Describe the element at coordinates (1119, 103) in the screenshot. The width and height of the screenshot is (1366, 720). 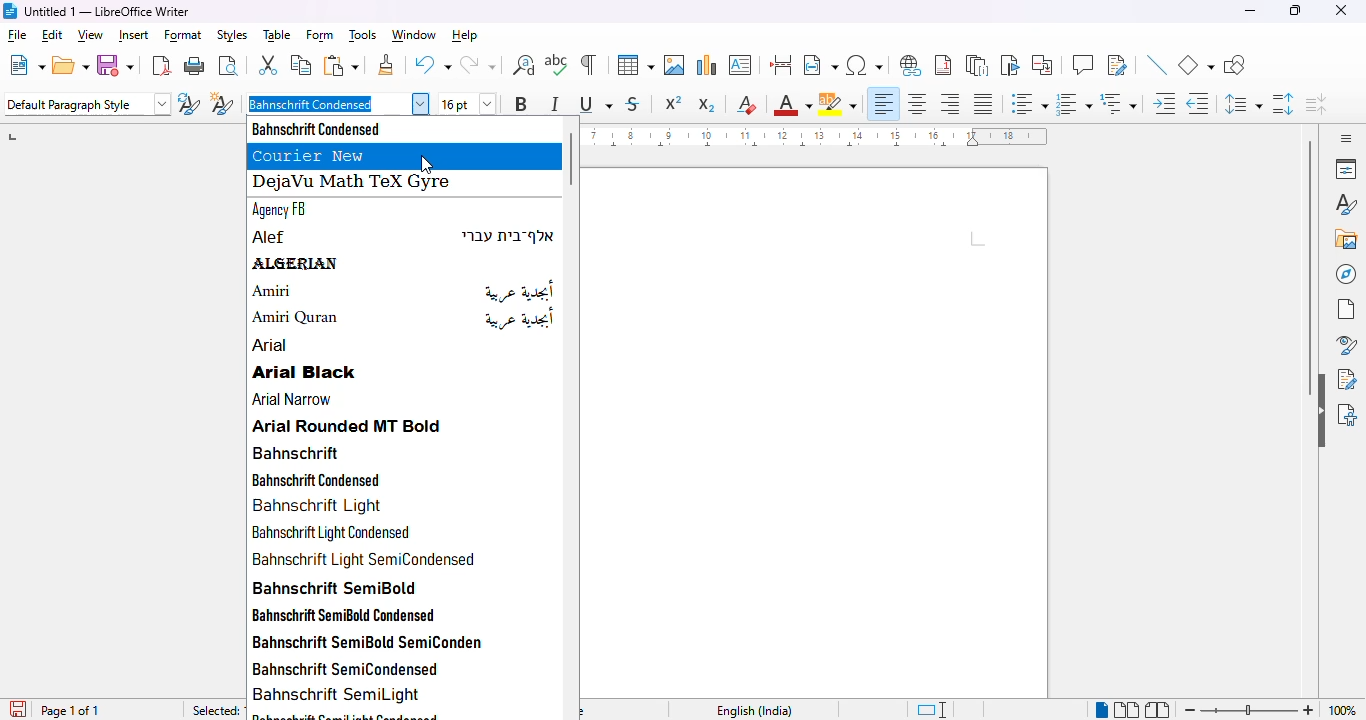
I see `select outline format` at that location.